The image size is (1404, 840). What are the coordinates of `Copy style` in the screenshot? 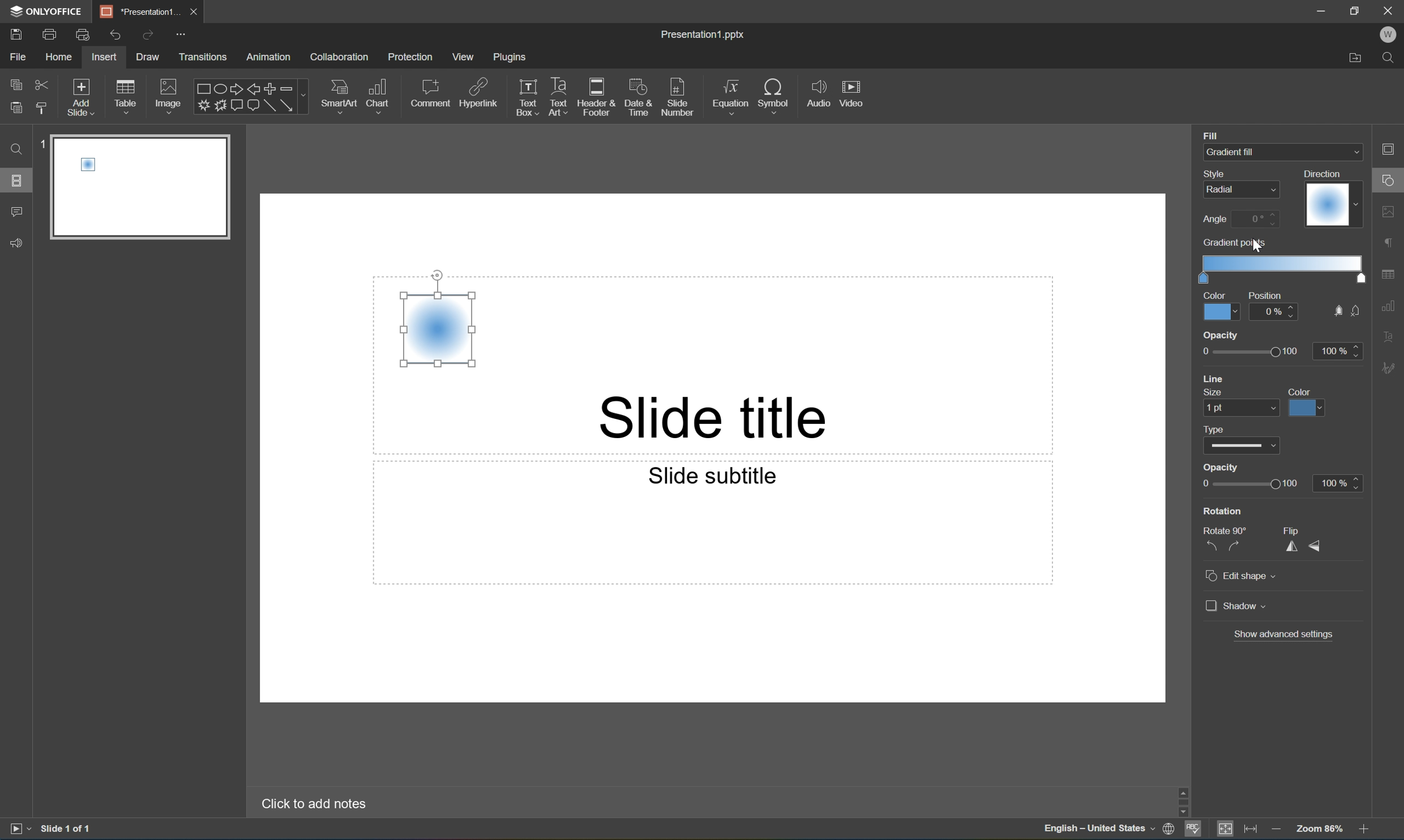 It's located at (43, 109).